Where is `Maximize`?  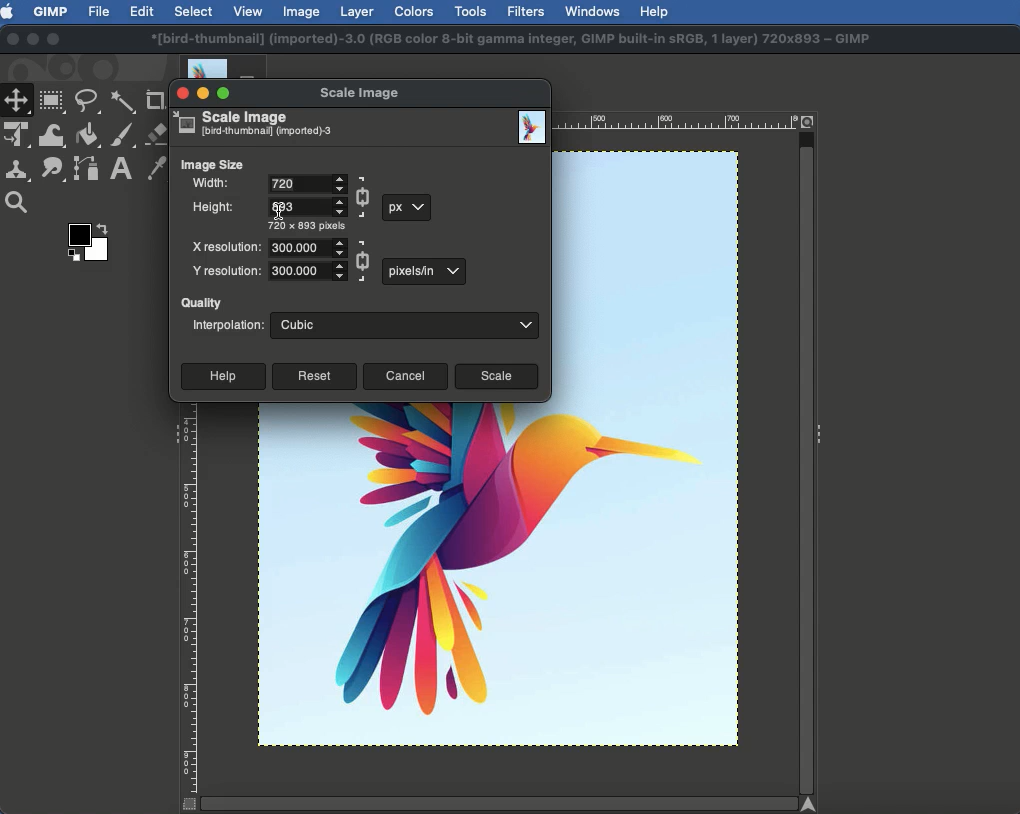 Maximize is located at coordinates (54, 40).